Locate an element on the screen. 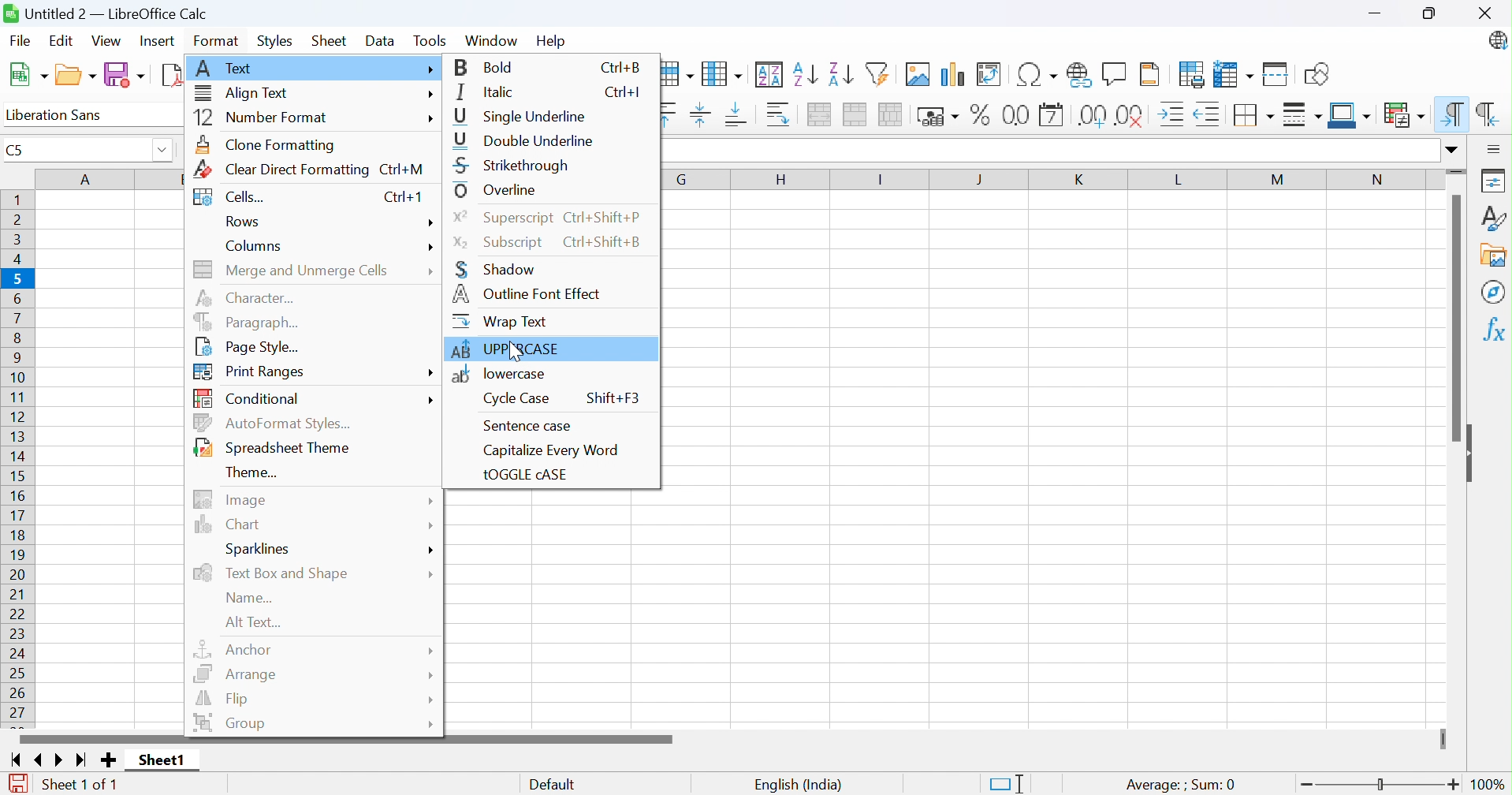 The width and height of the screenshot is (1512, 795). Rows is located at coordinates (244, 222).